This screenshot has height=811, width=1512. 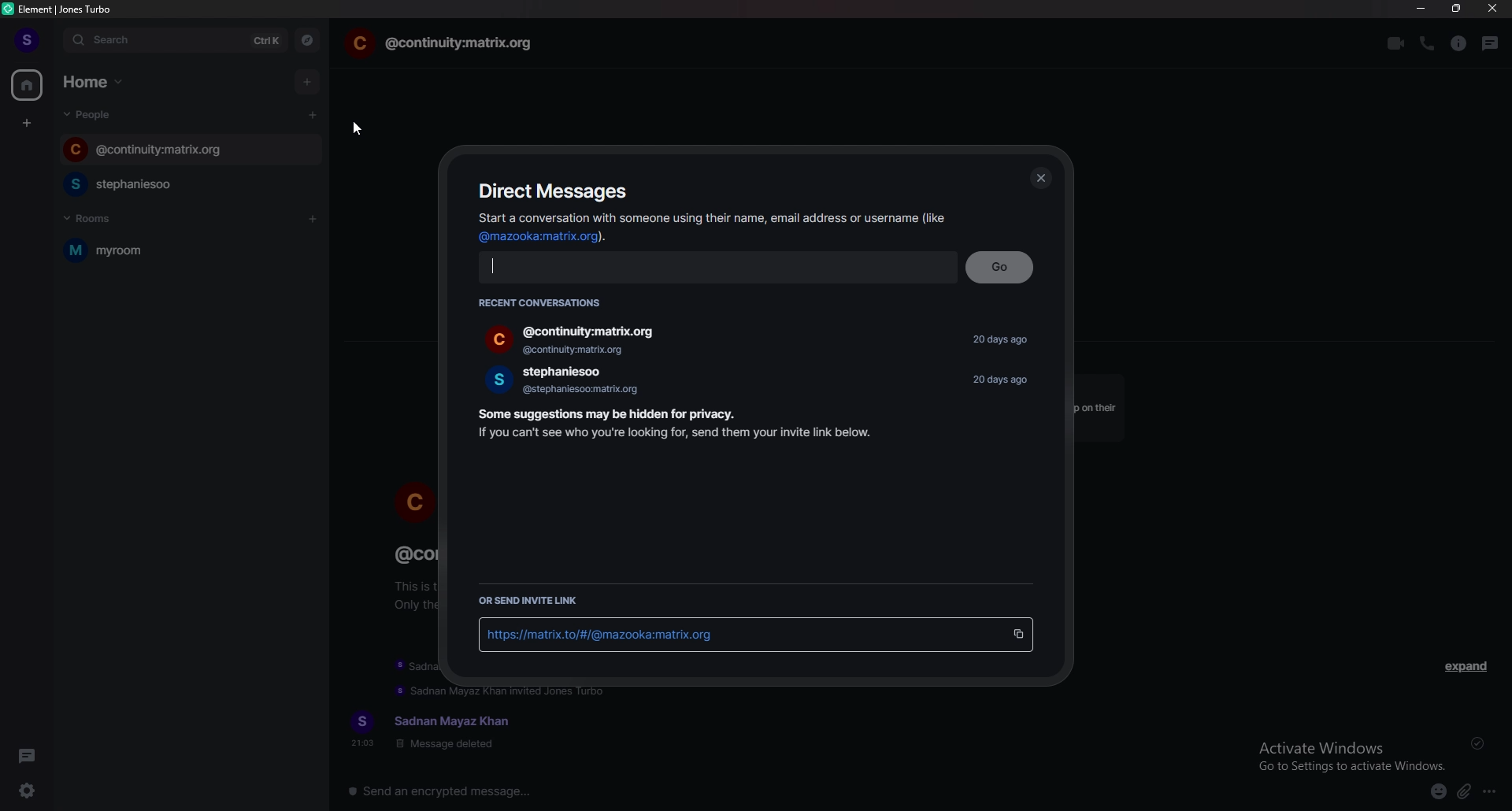 What do you see at coordinates (28, 40) in the screenshot?
I see `profile` at bounding box center [28, 40].